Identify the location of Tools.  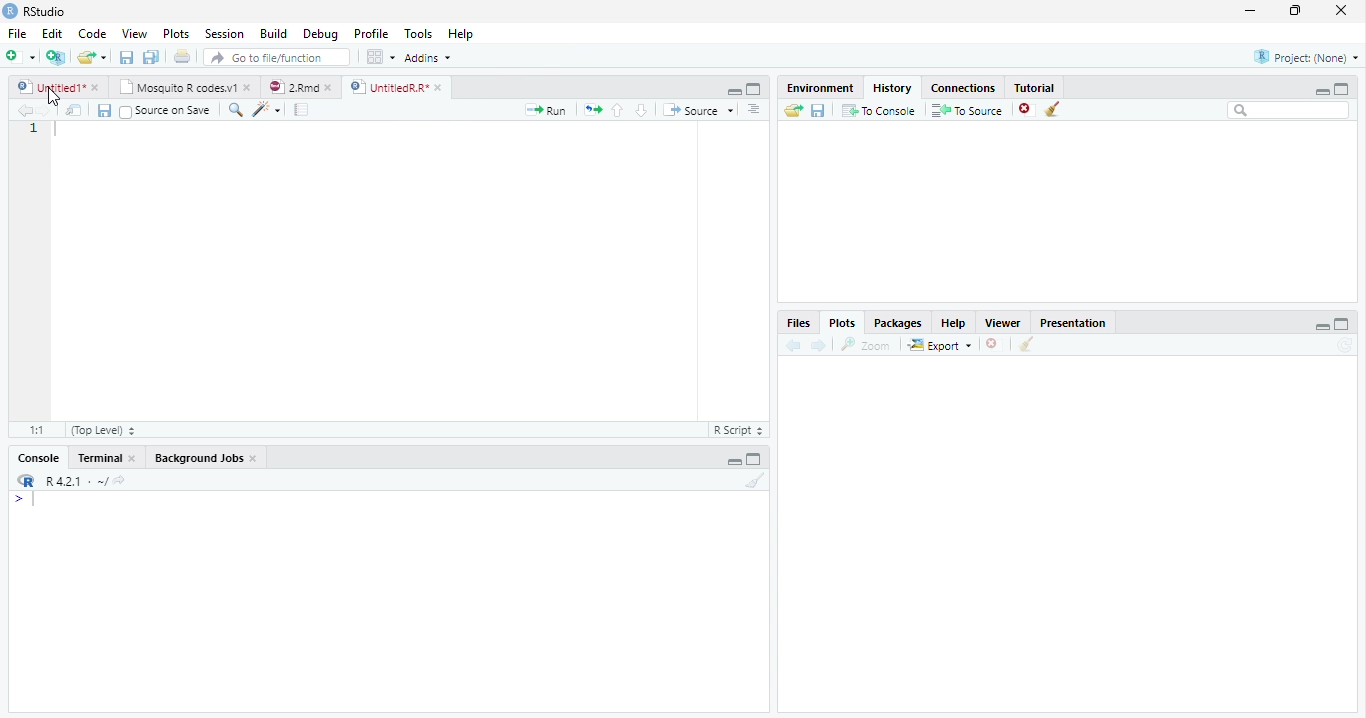
(417, 33).